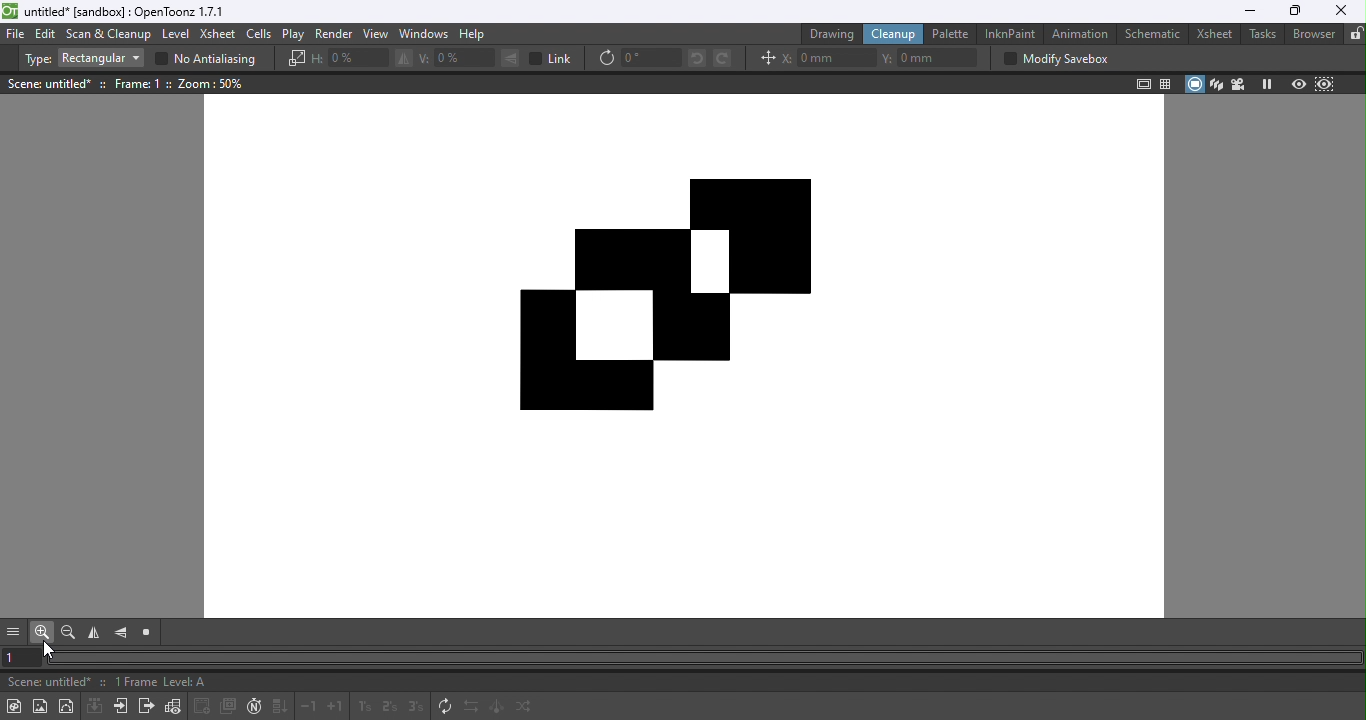 The width and height of the screenshot is (1366, 720). What do you see at coordinates (279, 708) in the screenshot?
I see `Fill in empty cells` at bounding box center [279, 708].